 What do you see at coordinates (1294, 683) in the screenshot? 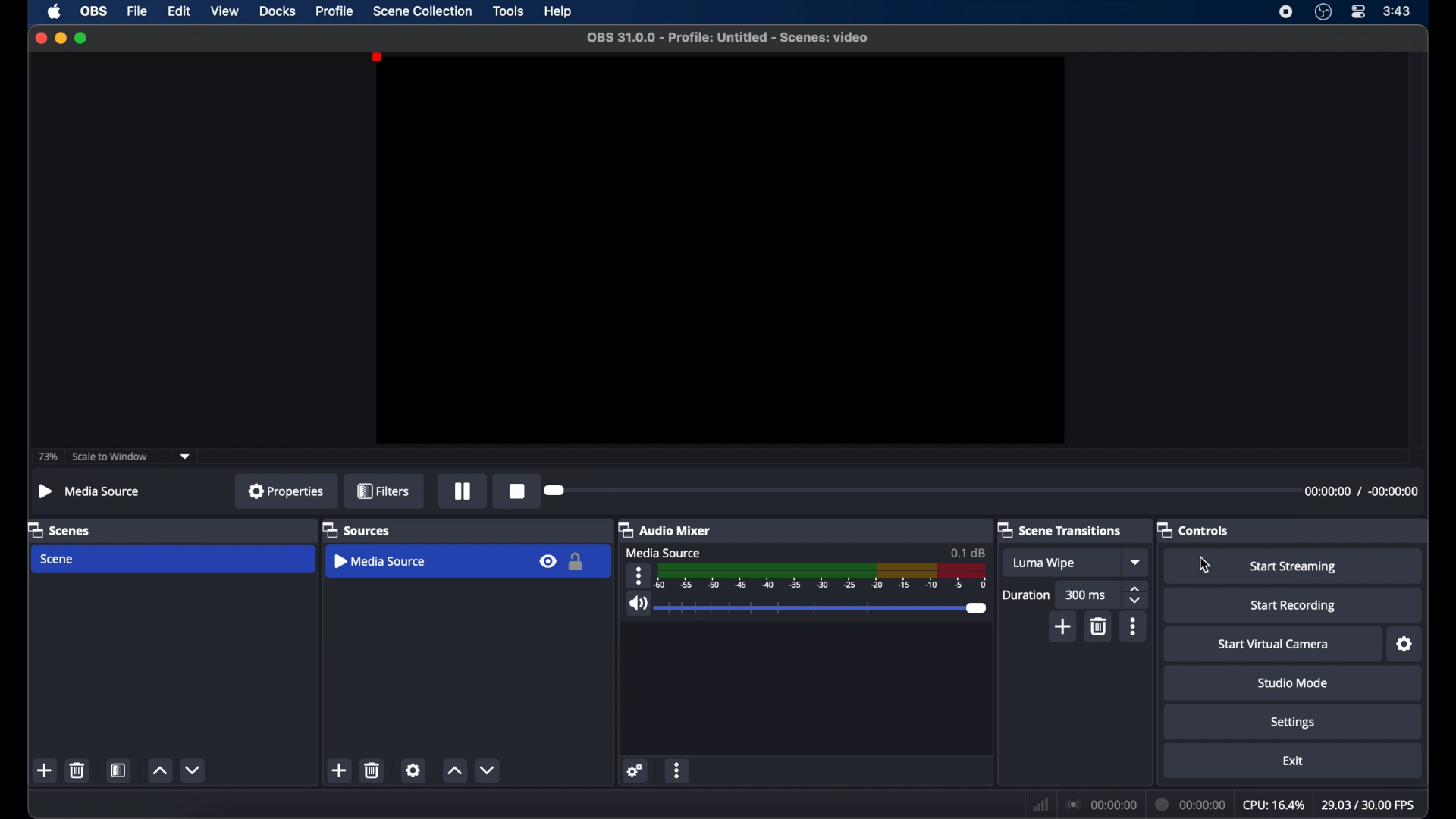
I see `studio mode` at bounding box center [1294, 683].